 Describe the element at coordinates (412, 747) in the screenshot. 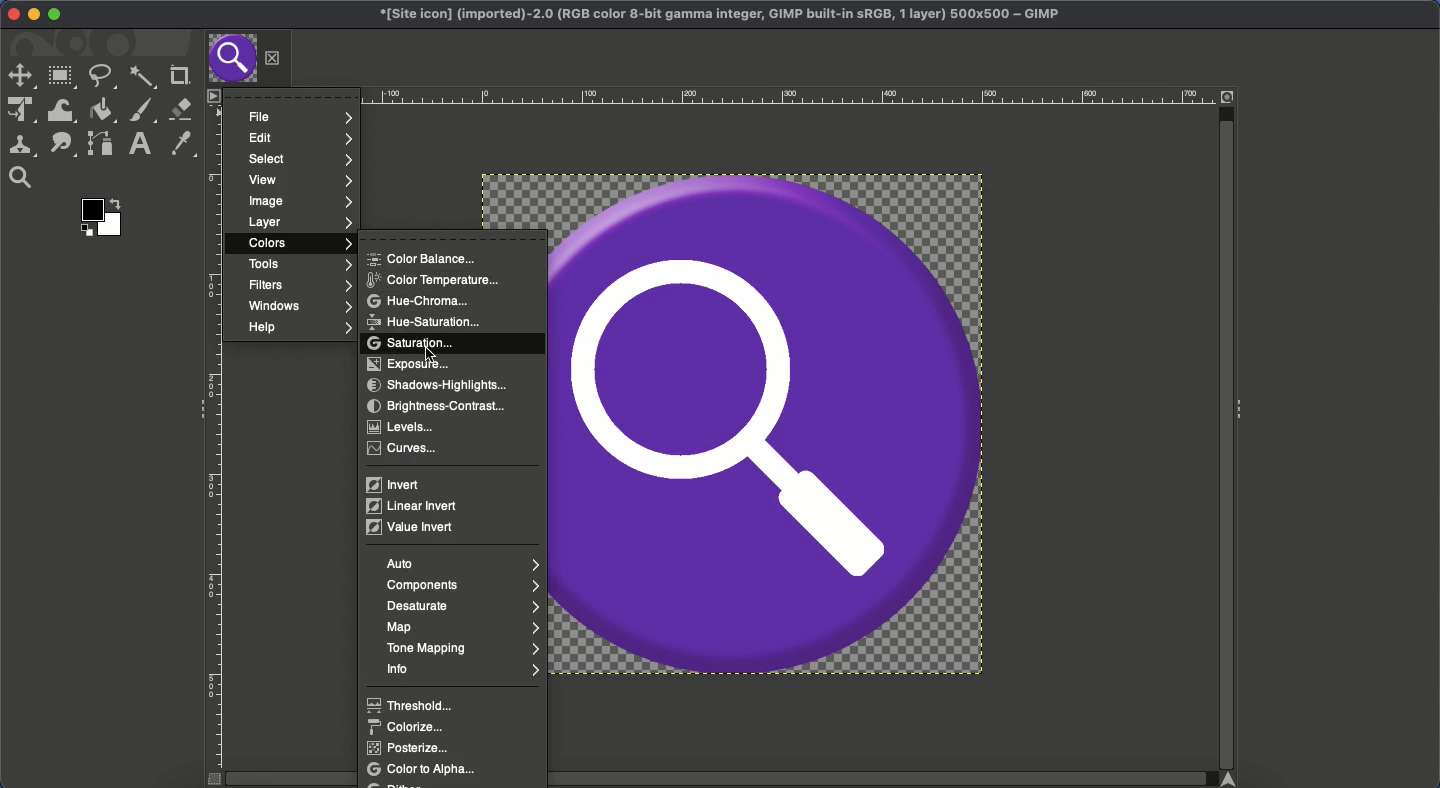

I see `Posterize` at that location.